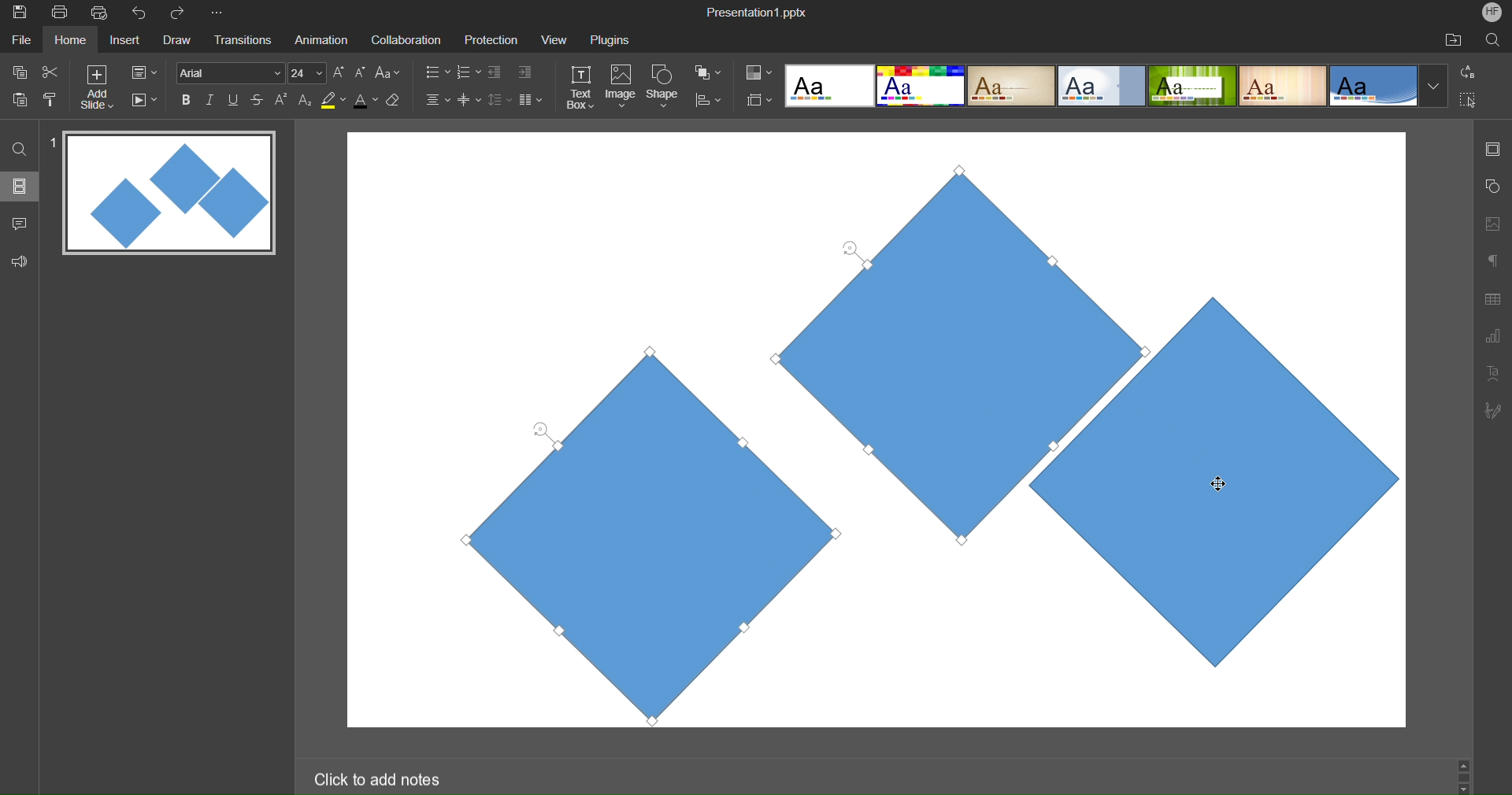 The image size is (1512, 795). I want to click on Collaboration, so click(403, 40).